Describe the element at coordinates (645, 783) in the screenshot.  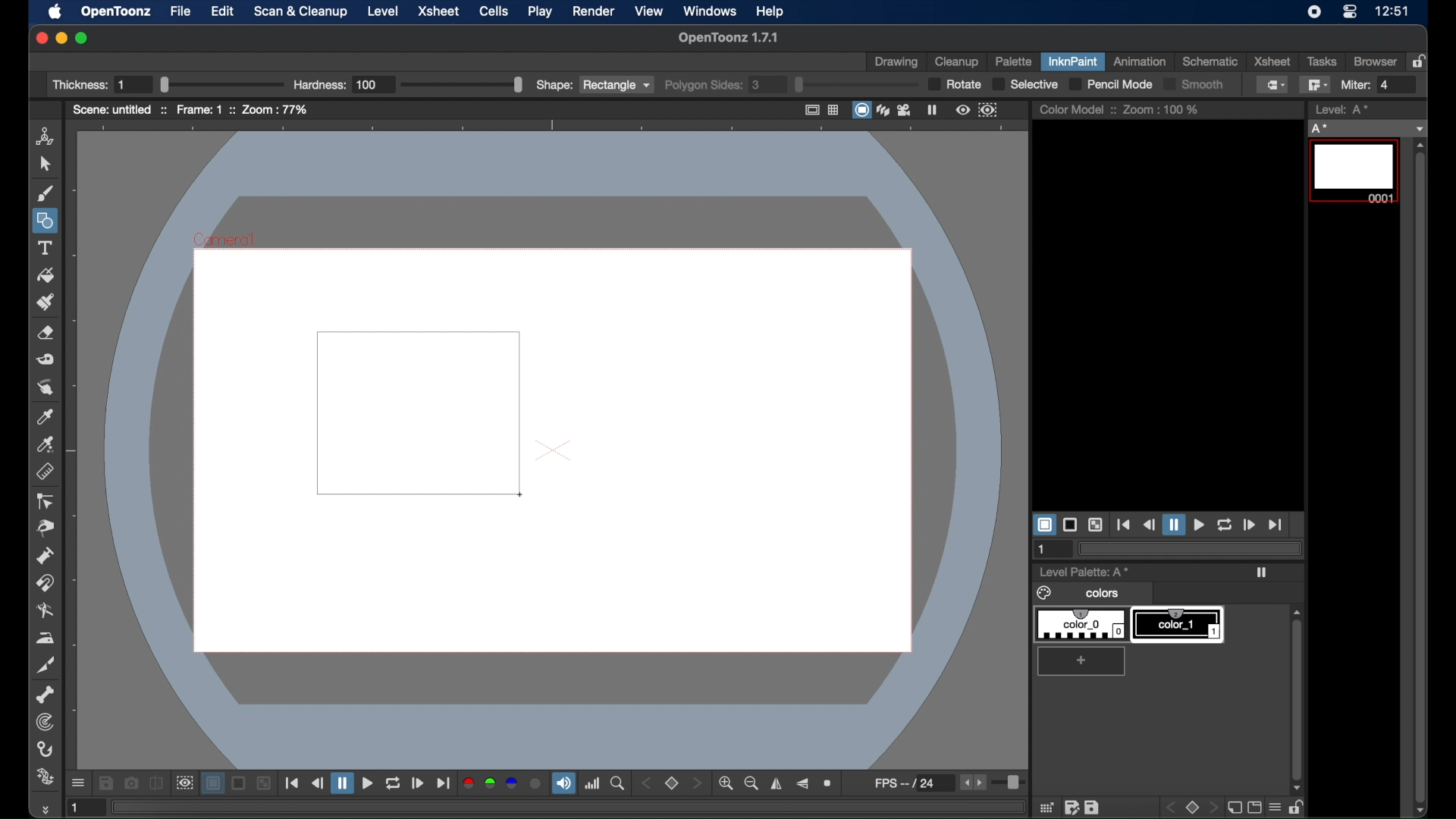
I see `stepper button` at that location.